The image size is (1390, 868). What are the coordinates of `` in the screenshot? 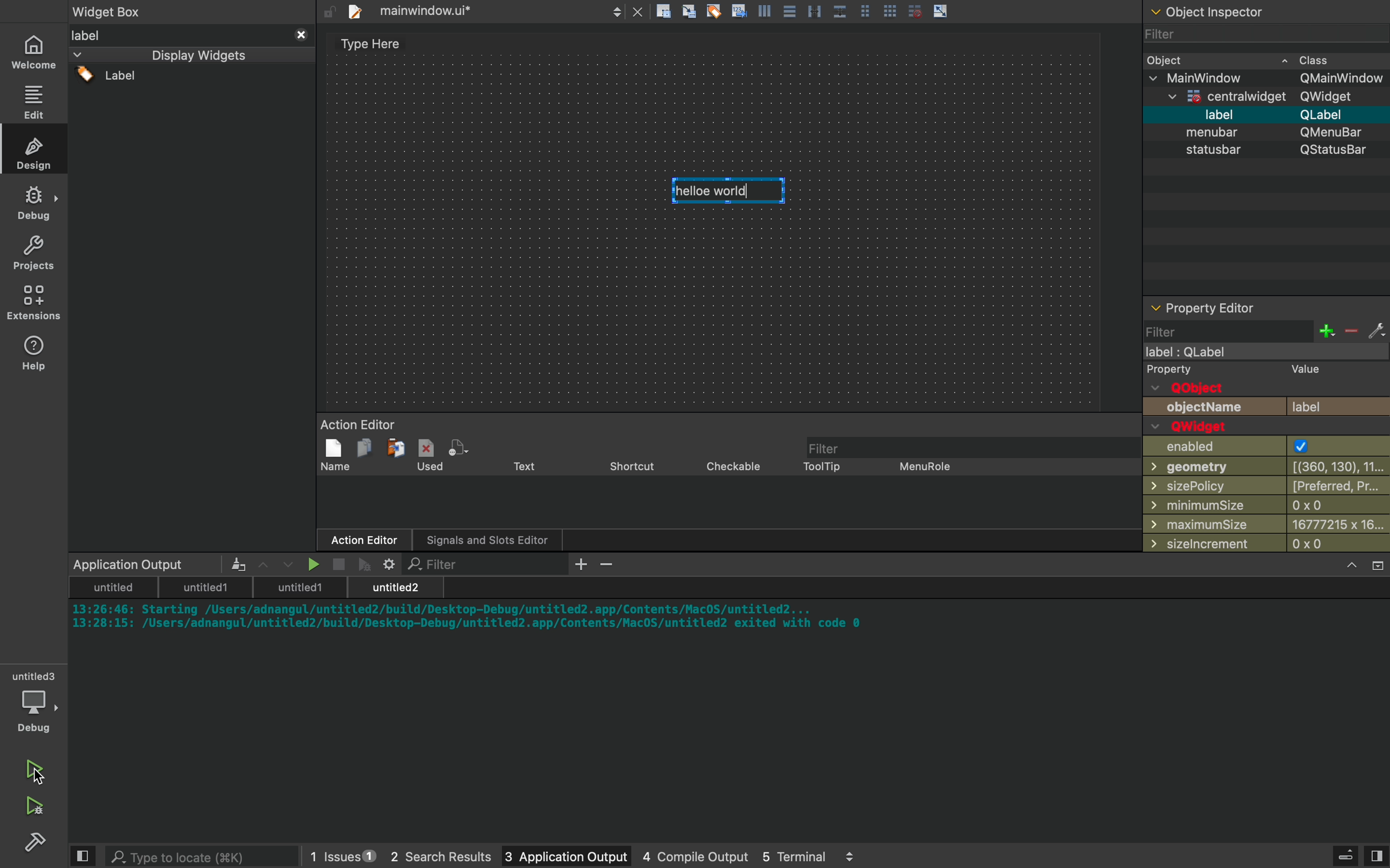 It's located at (1269, 79).